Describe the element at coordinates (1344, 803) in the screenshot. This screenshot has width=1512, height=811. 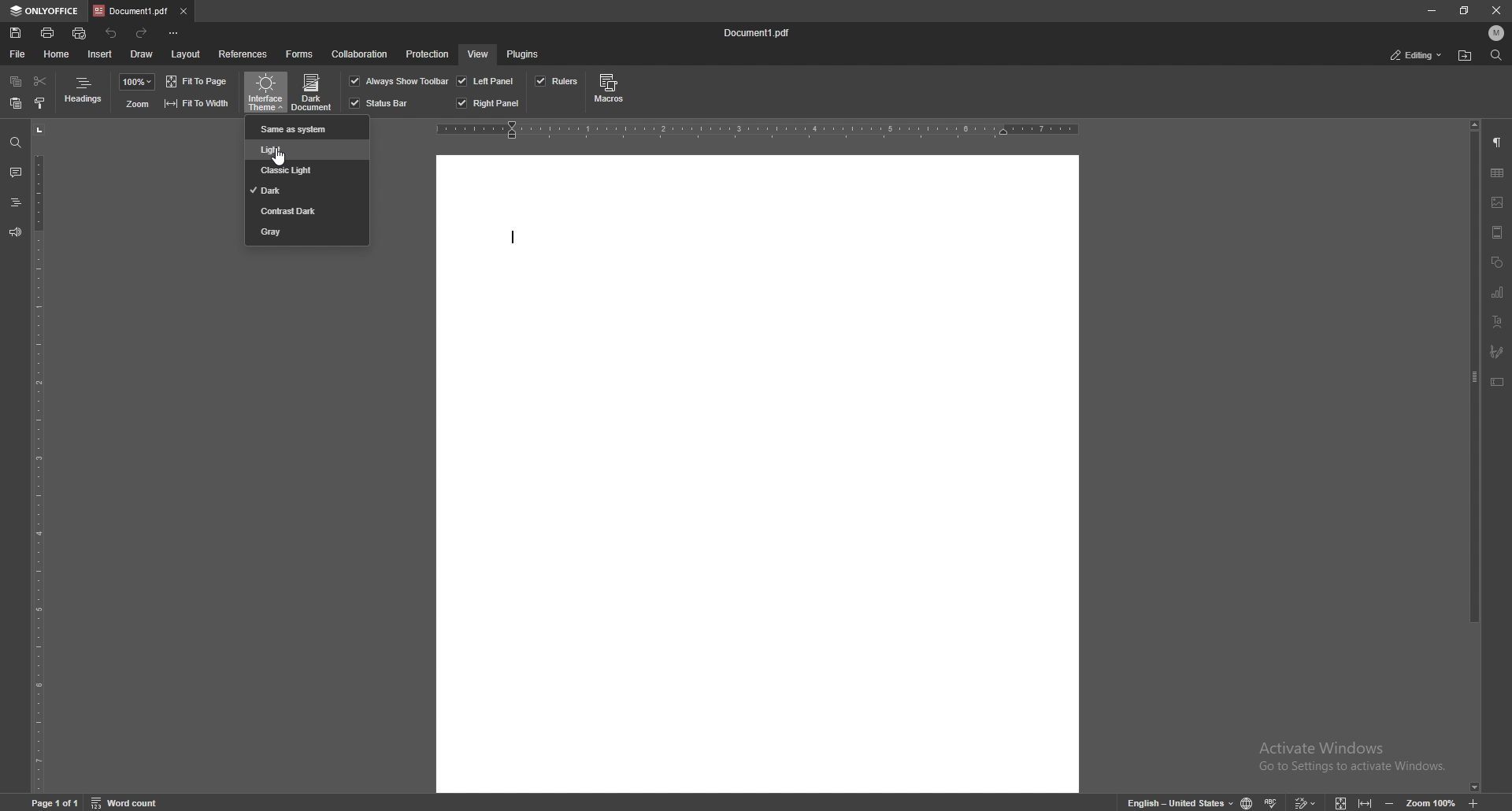
I see `fit to screen` at that location.